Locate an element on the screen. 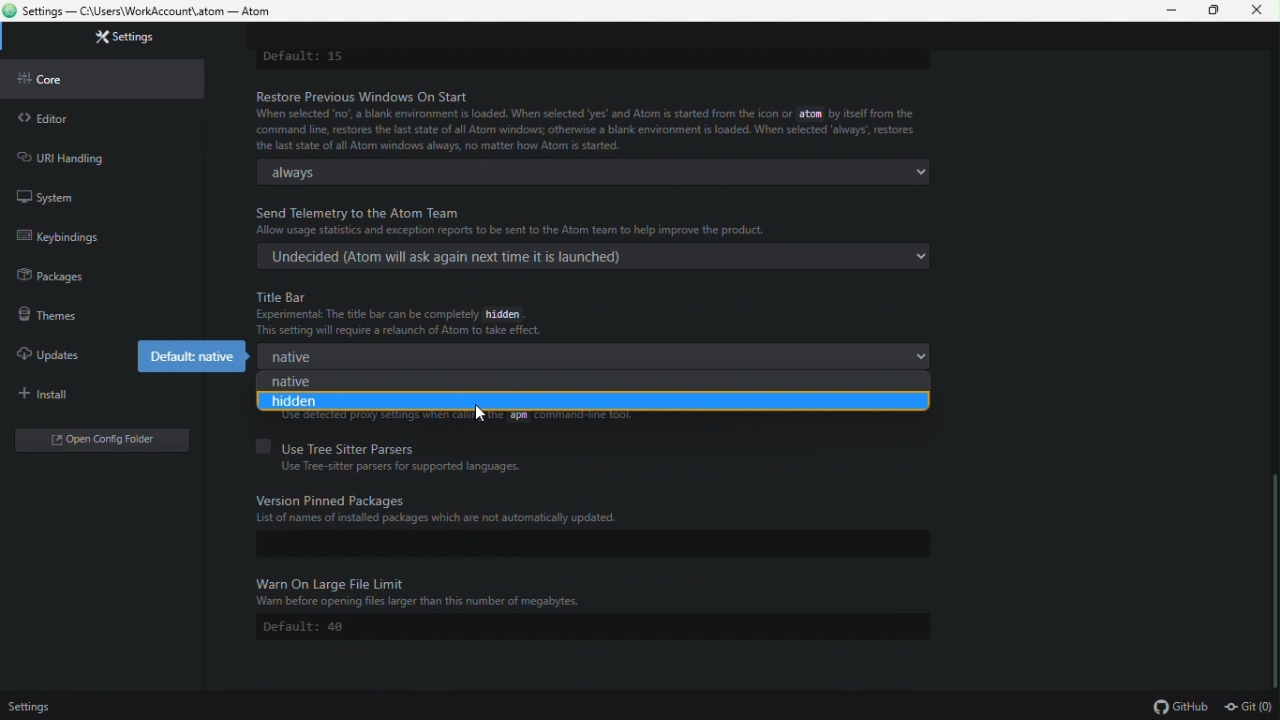 The width and height of the screenshot is (1280, 720). Default: 40 is located at coordinates (316, 626).